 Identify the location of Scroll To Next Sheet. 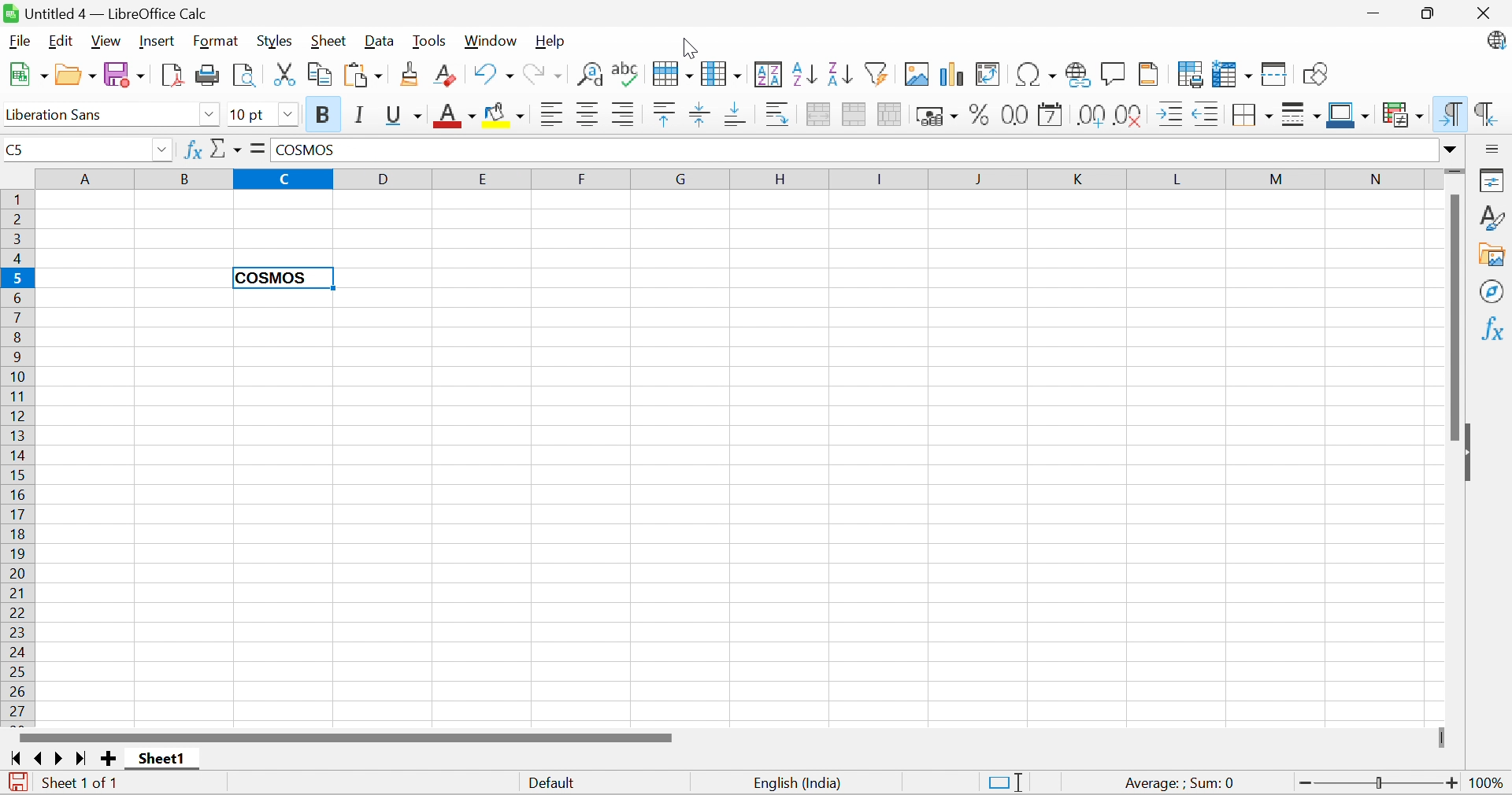
(61, 759).